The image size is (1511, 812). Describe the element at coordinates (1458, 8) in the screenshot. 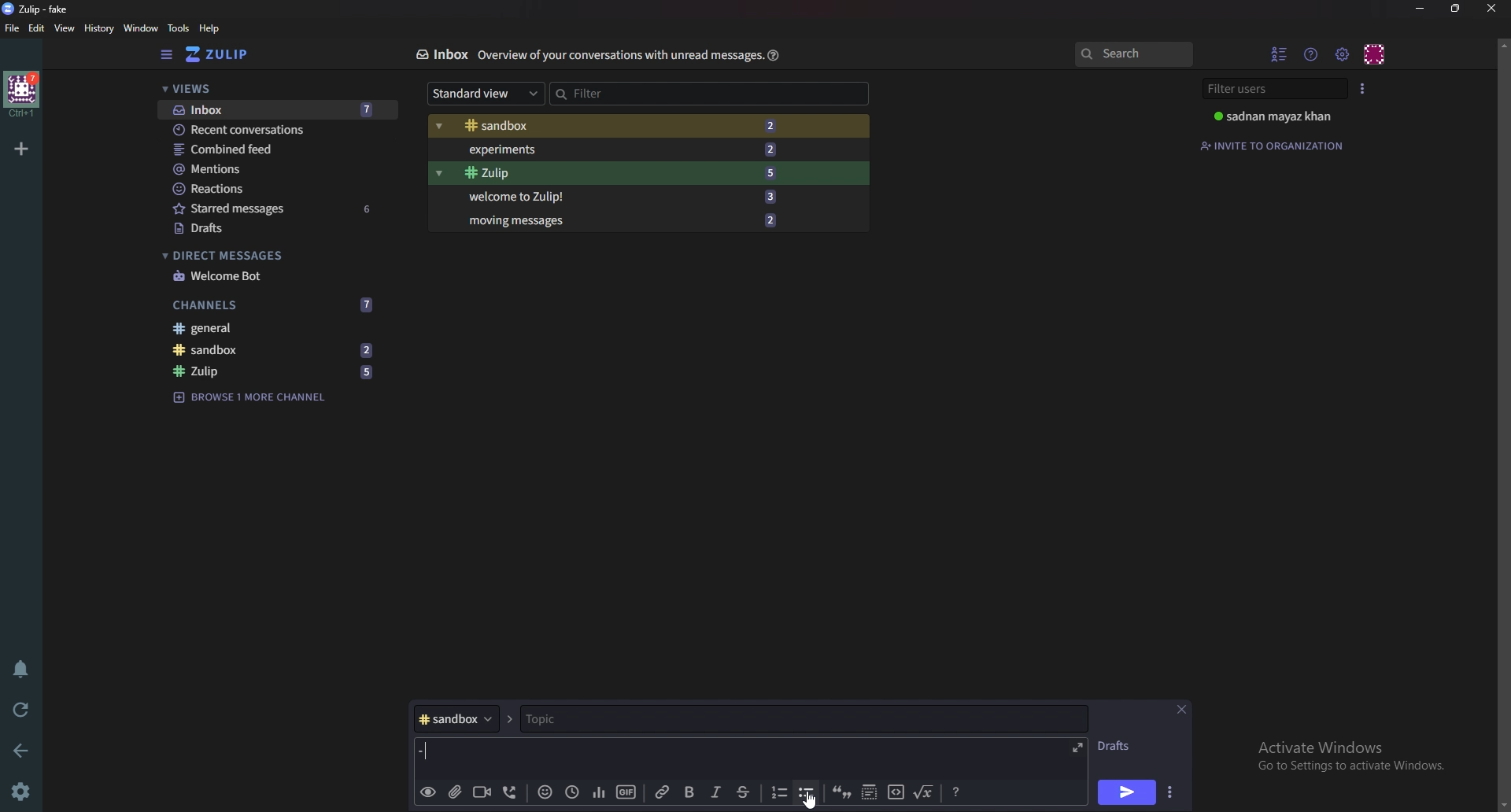

I see `Resize` at that location.